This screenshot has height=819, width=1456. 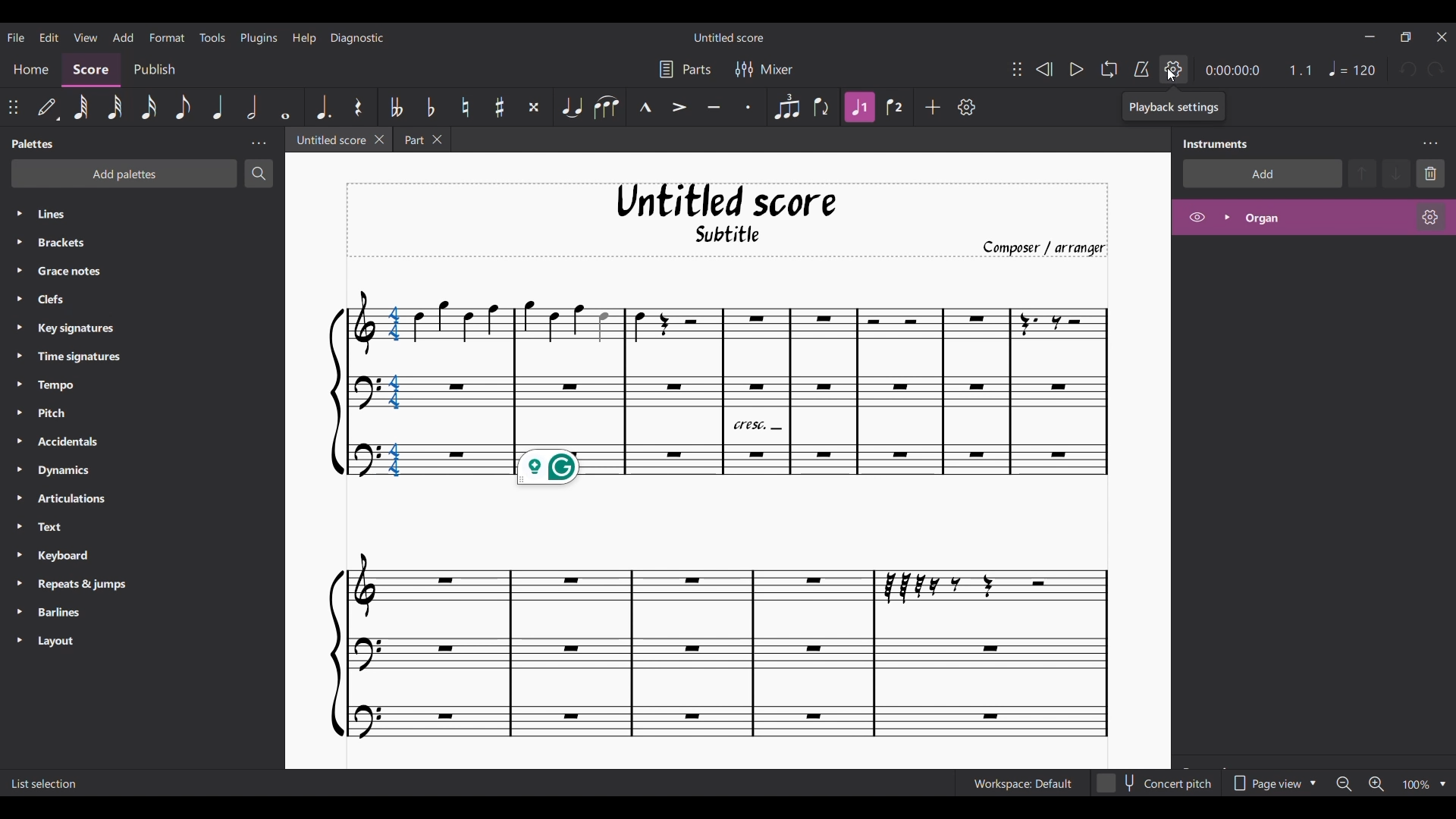 What do you see at coordinates (1172, 75) in the screenshot?
I see `Cursor clicking on Playback settings` at bounding box center [1172, 75].